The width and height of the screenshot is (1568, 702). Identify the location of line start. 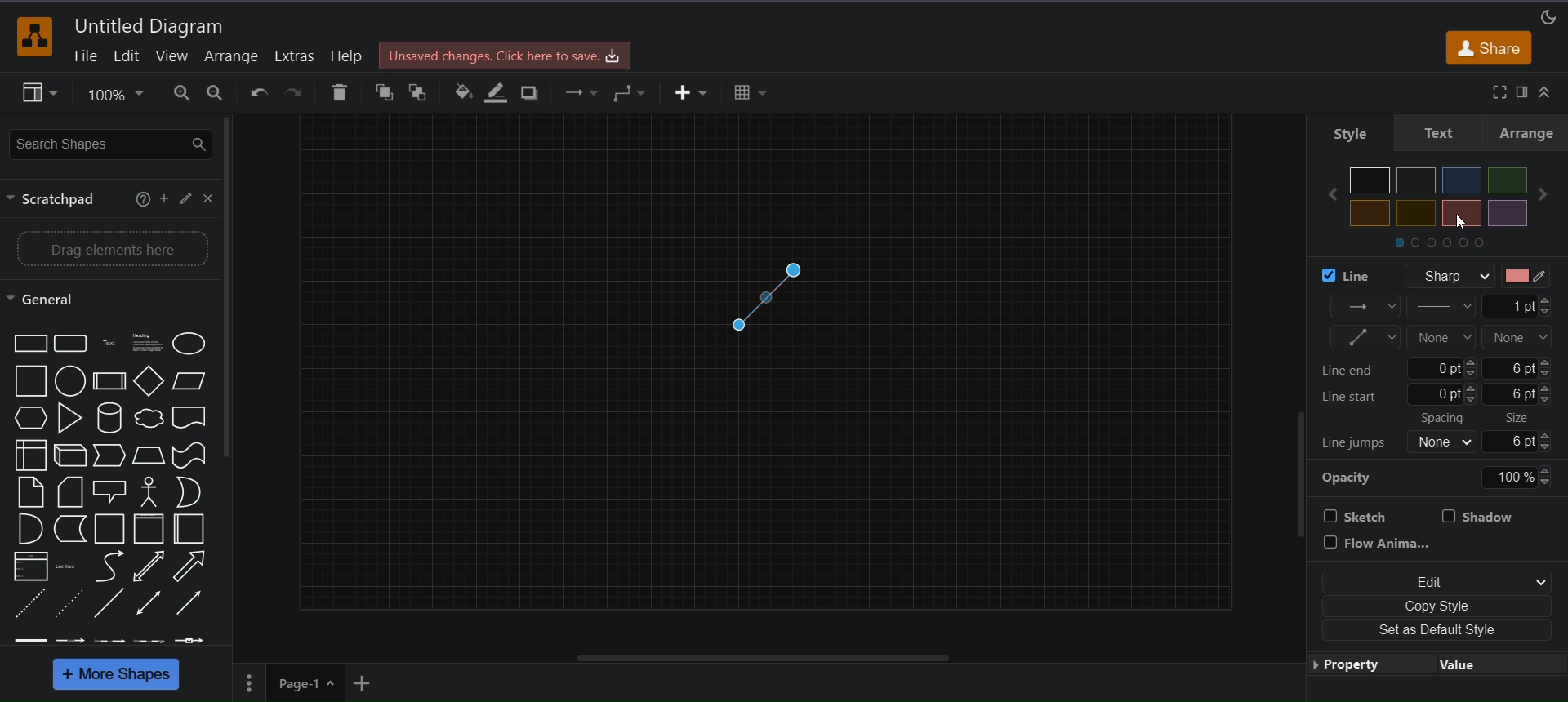
(1445, 338).